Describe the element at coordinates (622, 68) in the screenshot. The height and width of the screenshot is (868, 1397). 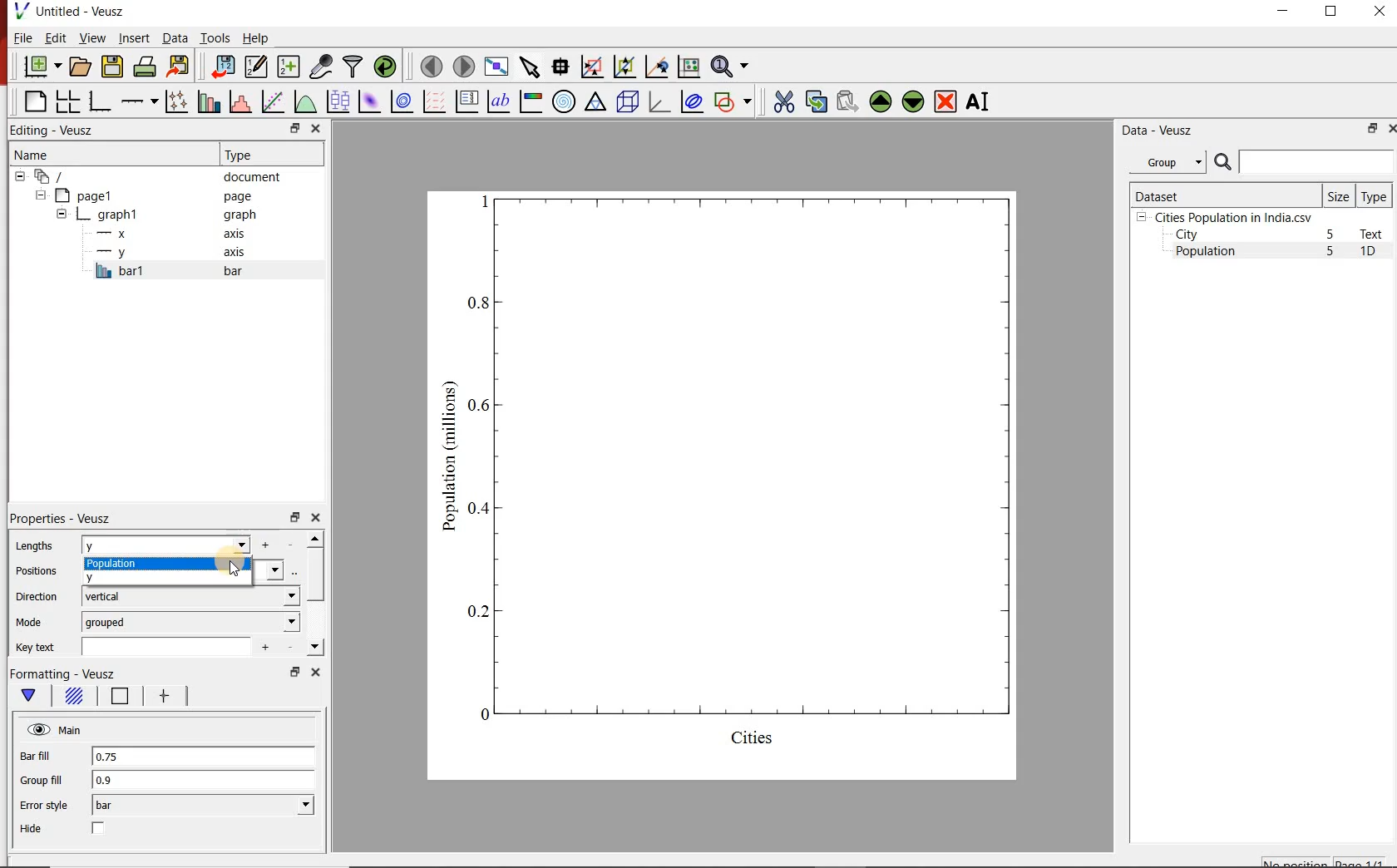
I see `click to zoom out of graph axes` at that location.